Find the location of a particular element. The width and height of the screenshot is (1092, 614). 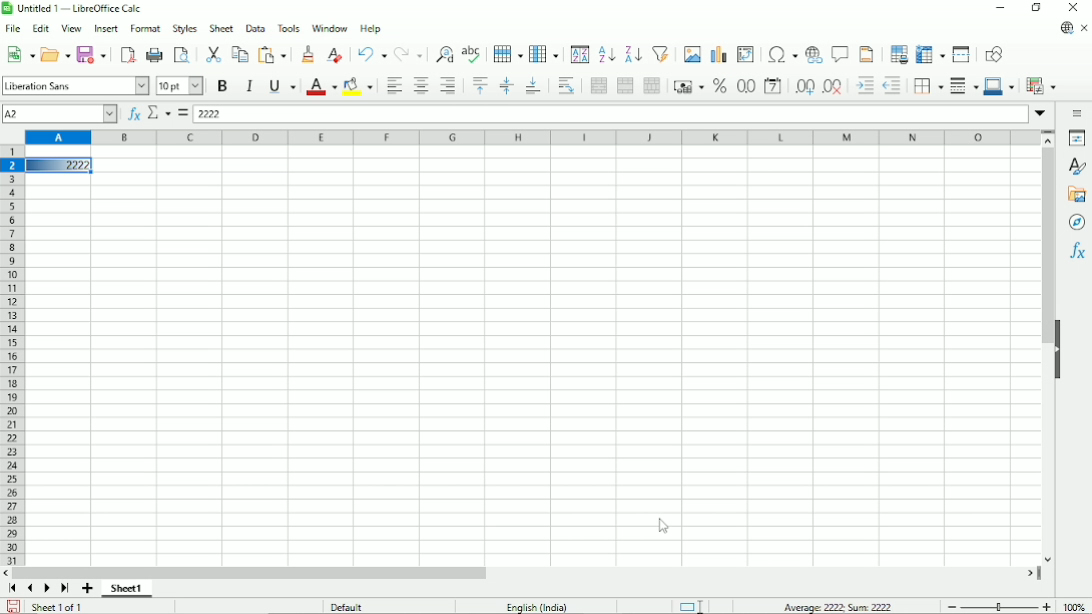

Gallery is located at coordinates (1076, 195).